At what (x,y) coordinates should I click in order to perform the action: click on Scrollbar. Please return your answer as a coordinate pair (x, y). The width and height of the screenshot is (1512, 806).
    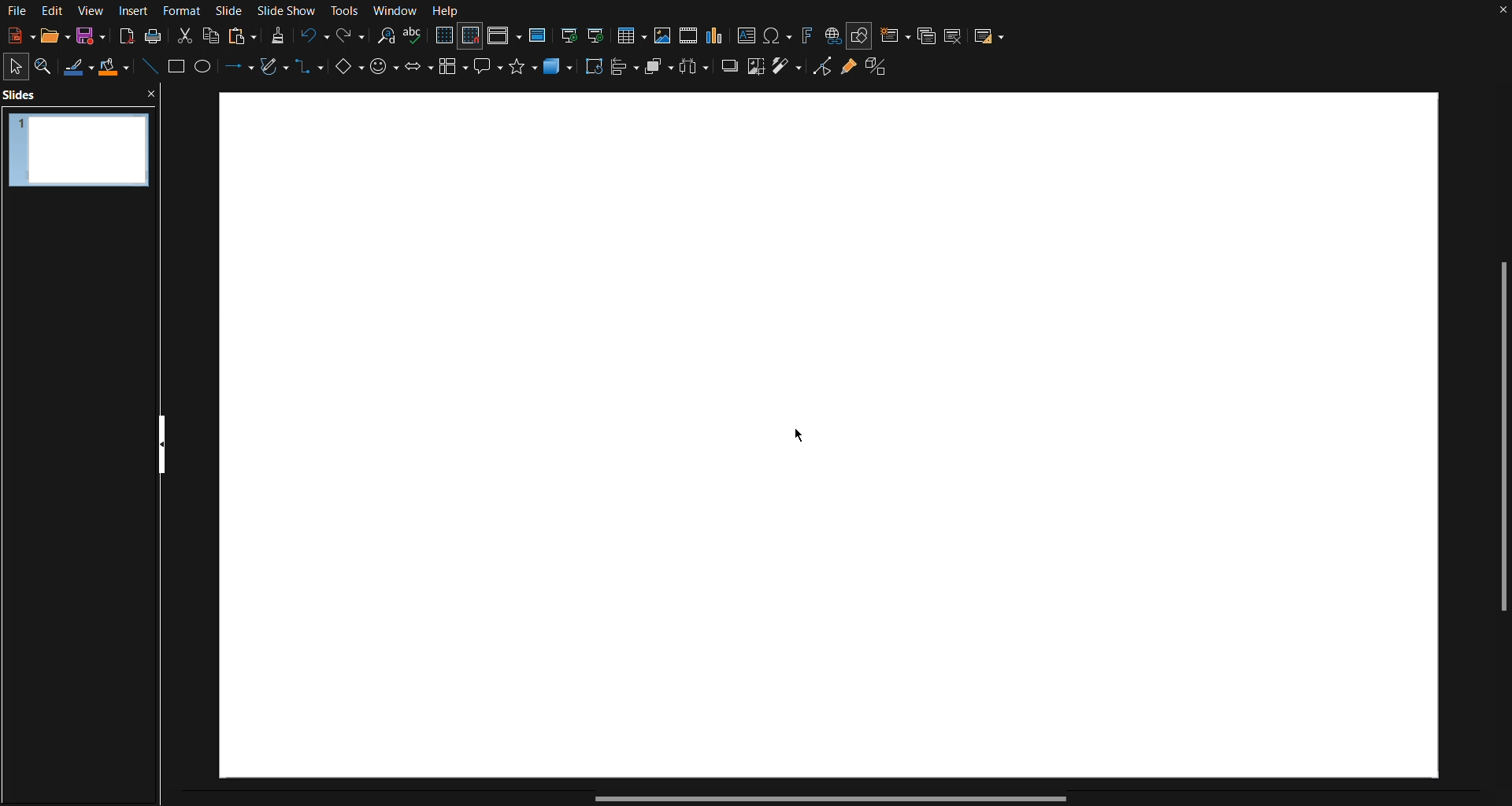
    Looking at the image, I should click on (830, 798).